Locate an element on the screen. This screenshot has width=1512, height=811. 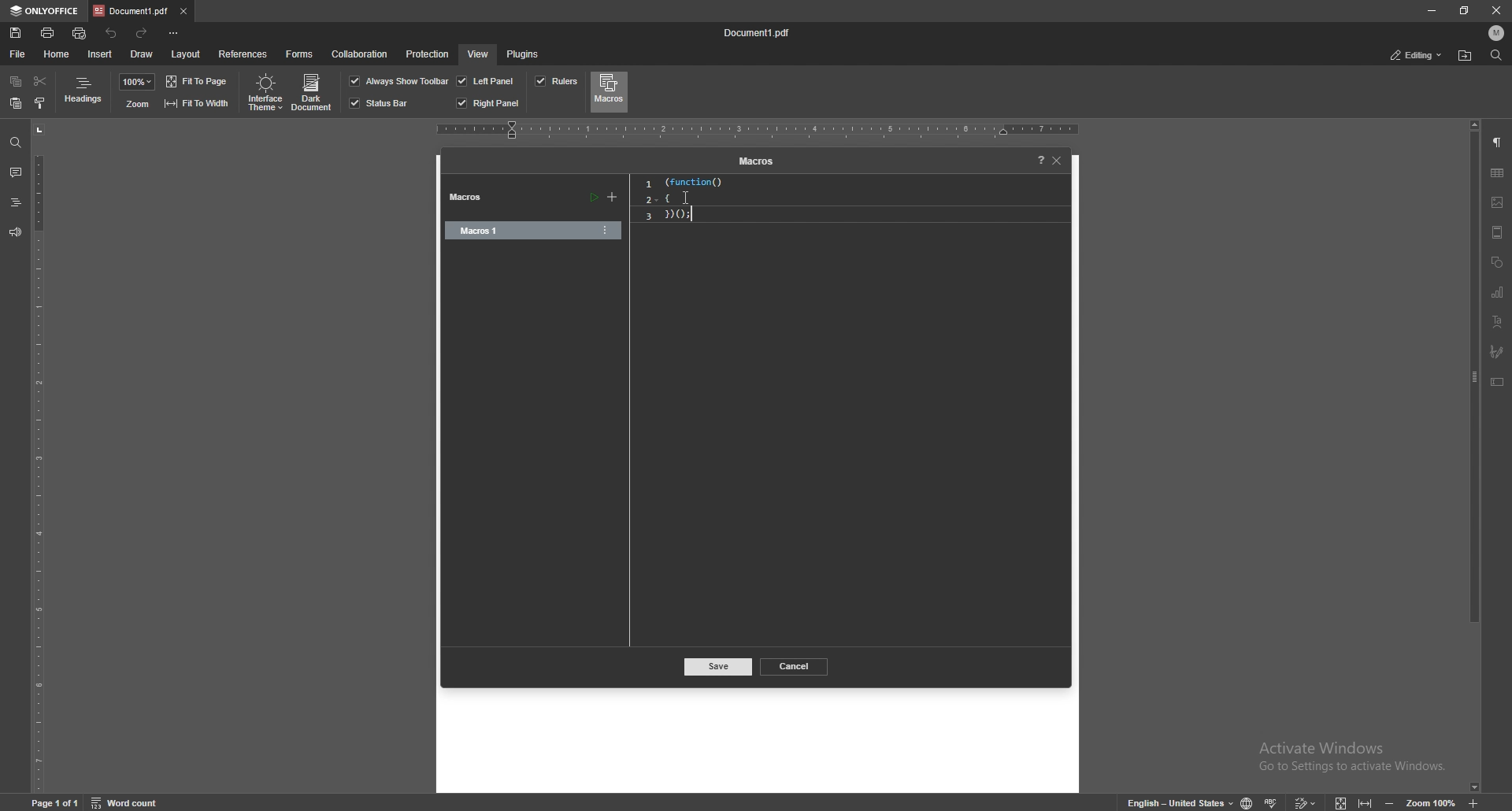
interface theme is located at coordinates (263, 93).